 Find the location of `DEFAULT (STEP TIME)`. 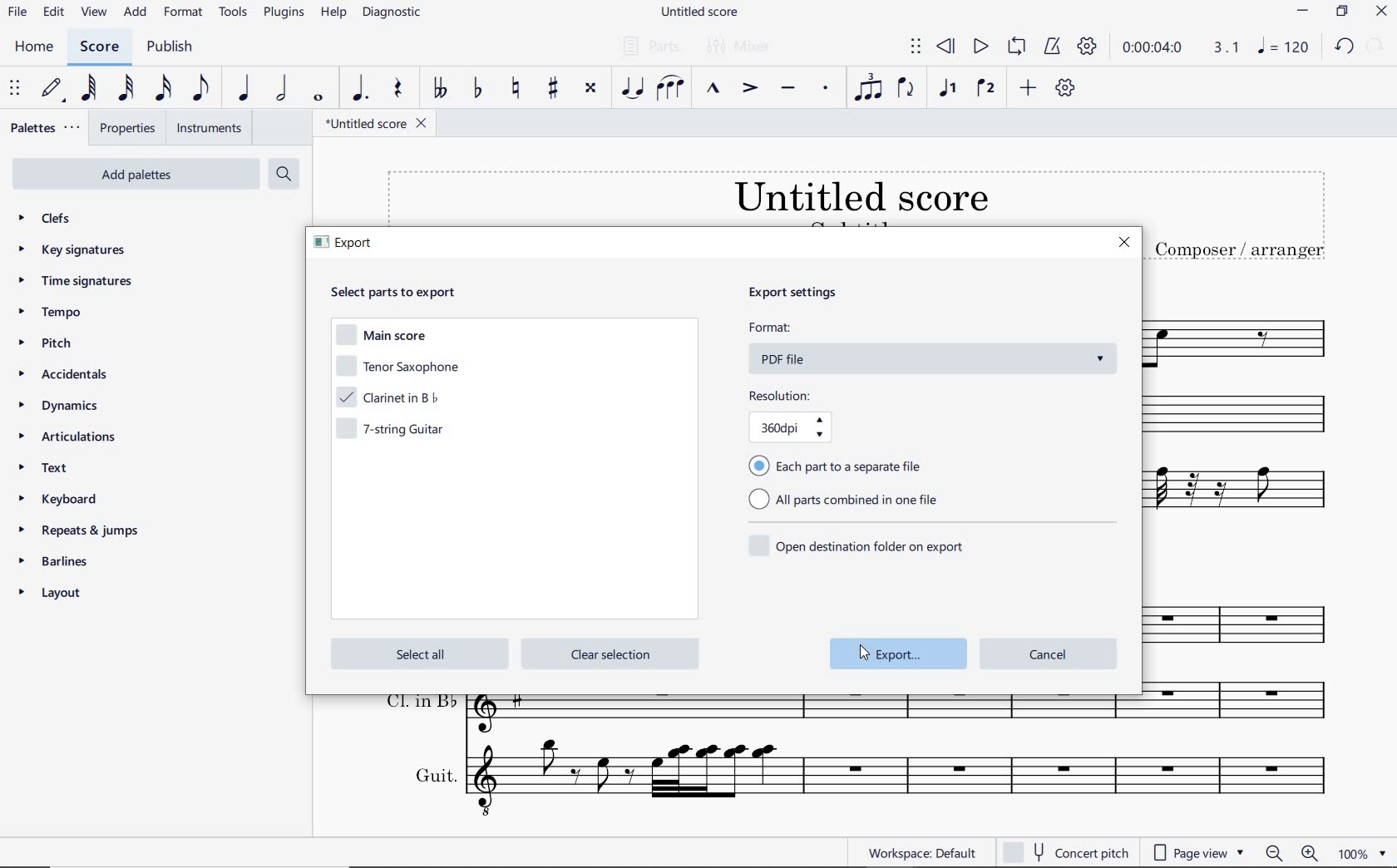

DEFAULT (STEP TIME) is located at coordinates (51, 89).